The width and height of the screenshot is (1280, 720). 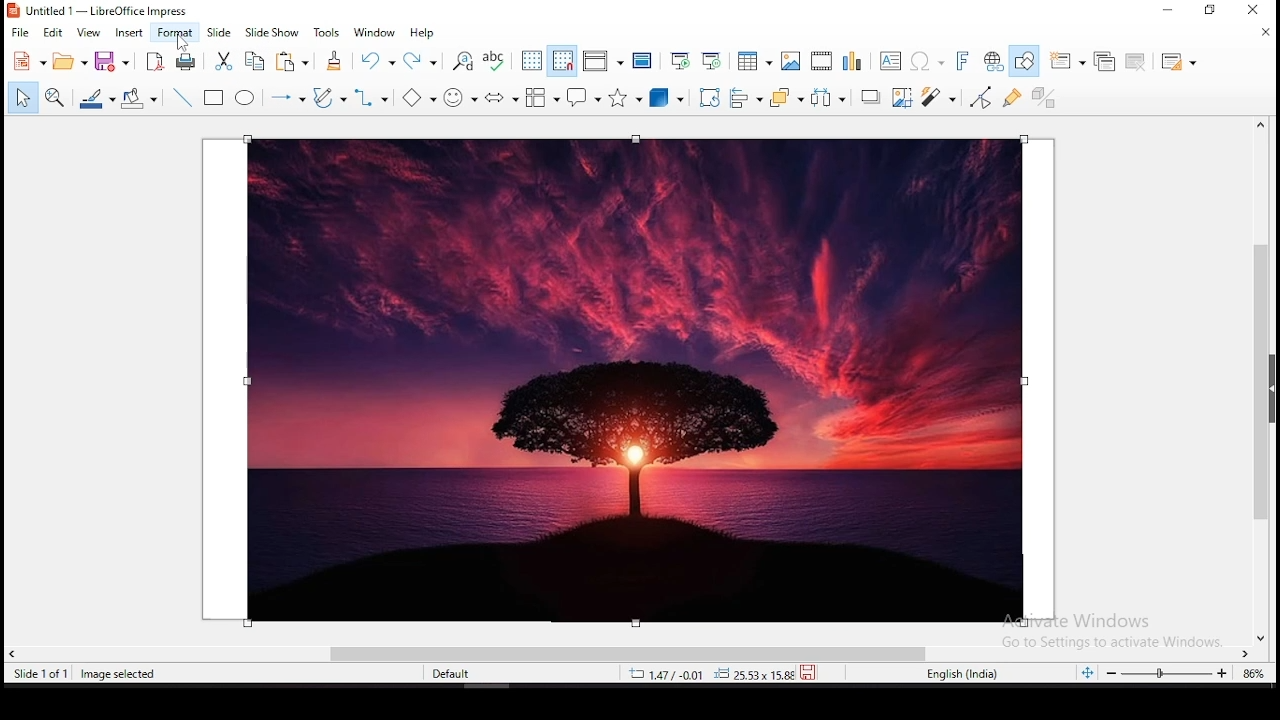 I want to click on display grid, so click(x=531, y=61).